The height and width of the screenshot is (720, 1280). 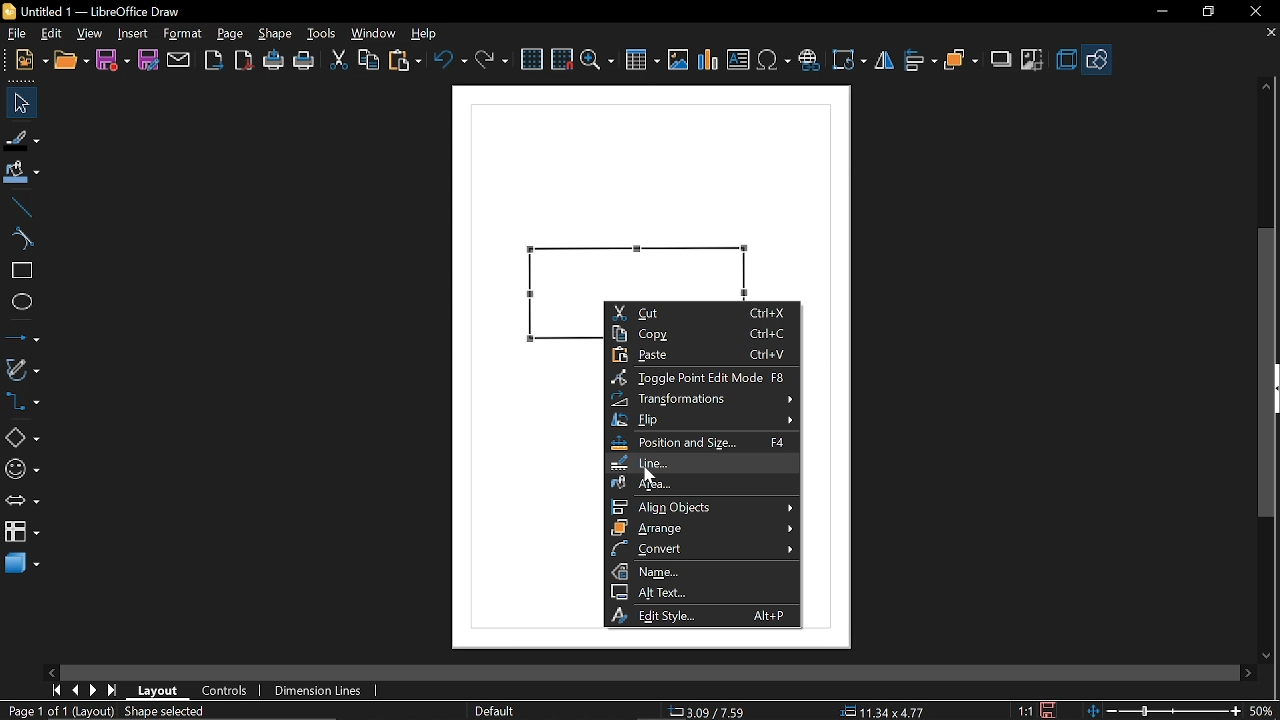 I want to click on layout, so click(x=161, y=691).